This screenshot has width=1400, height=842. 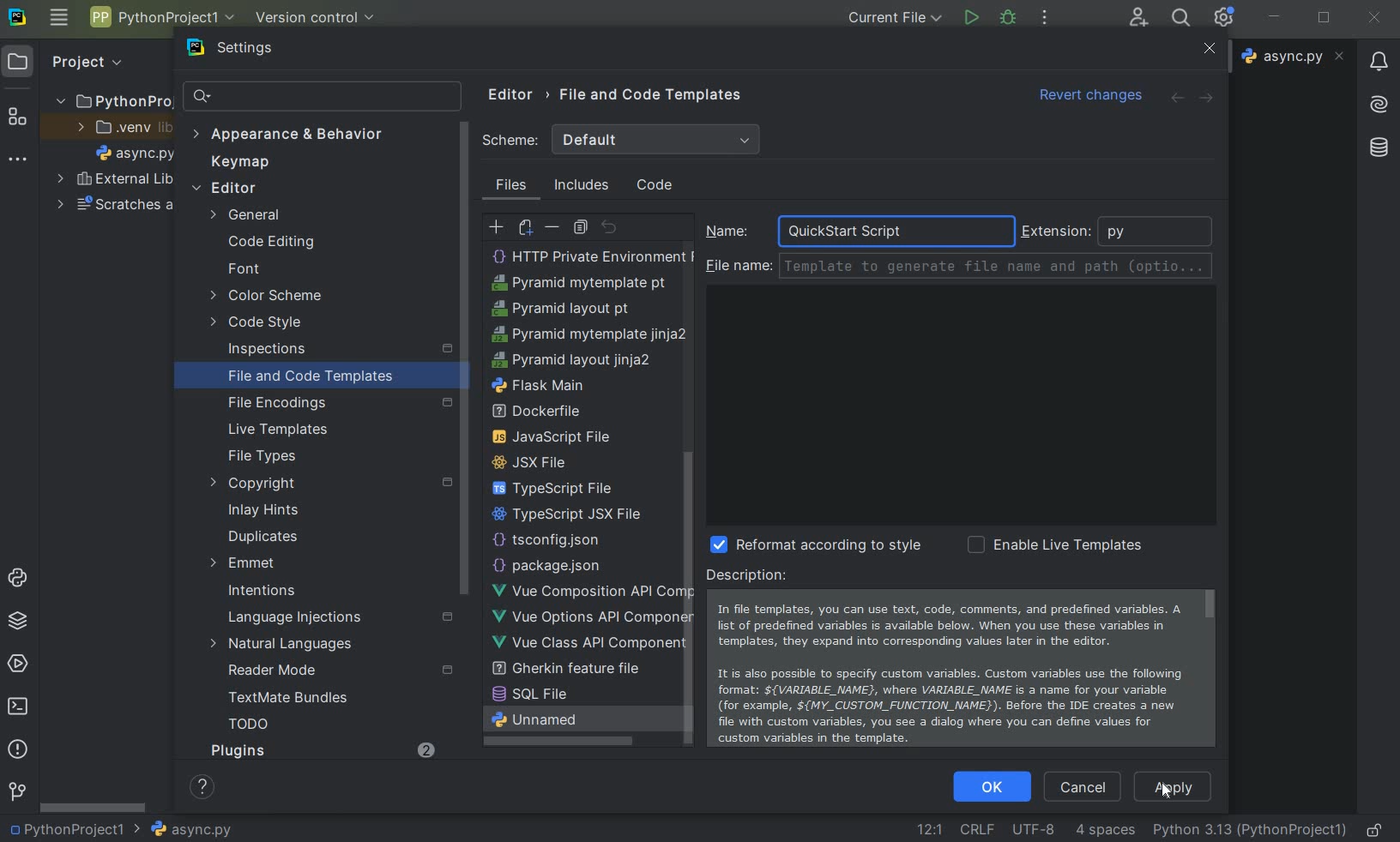 What do you see at coordinates (1375, 17) in the screenshot?
I see `close` at bounding box center [1375, 17].